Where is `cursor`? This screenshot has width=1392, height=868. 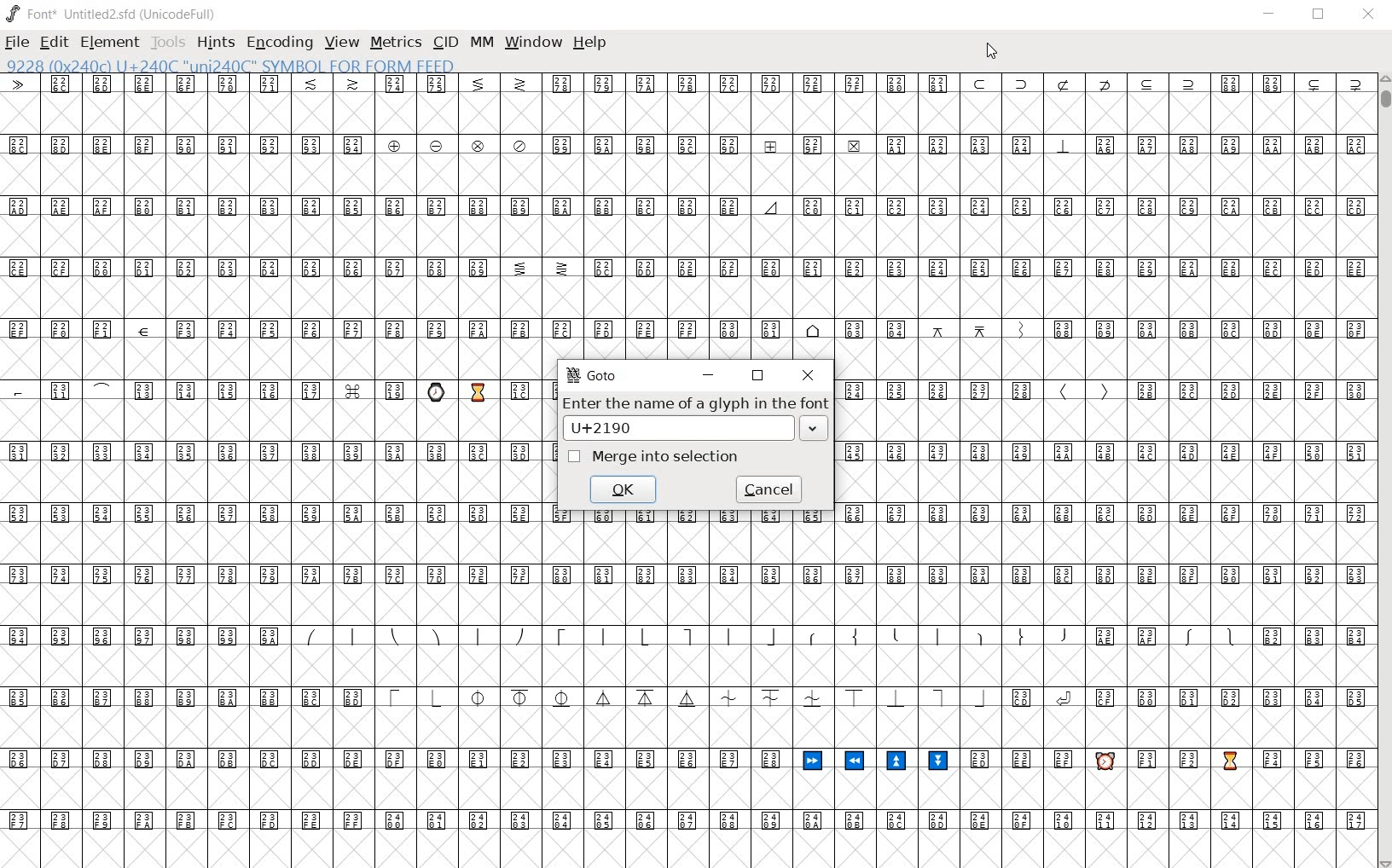 cursor is located at coordinates (991, 54).